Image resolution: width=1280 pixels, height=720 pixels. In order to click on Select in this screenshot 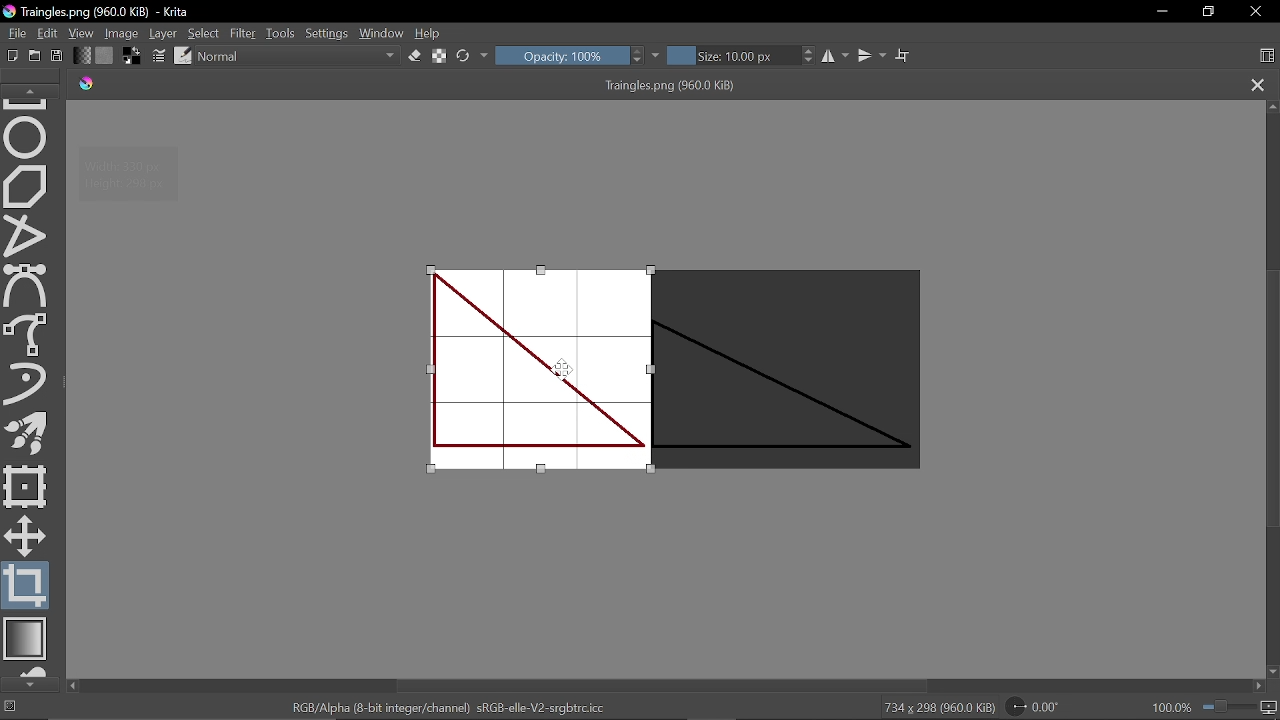, I will do `click(205, 34)`.